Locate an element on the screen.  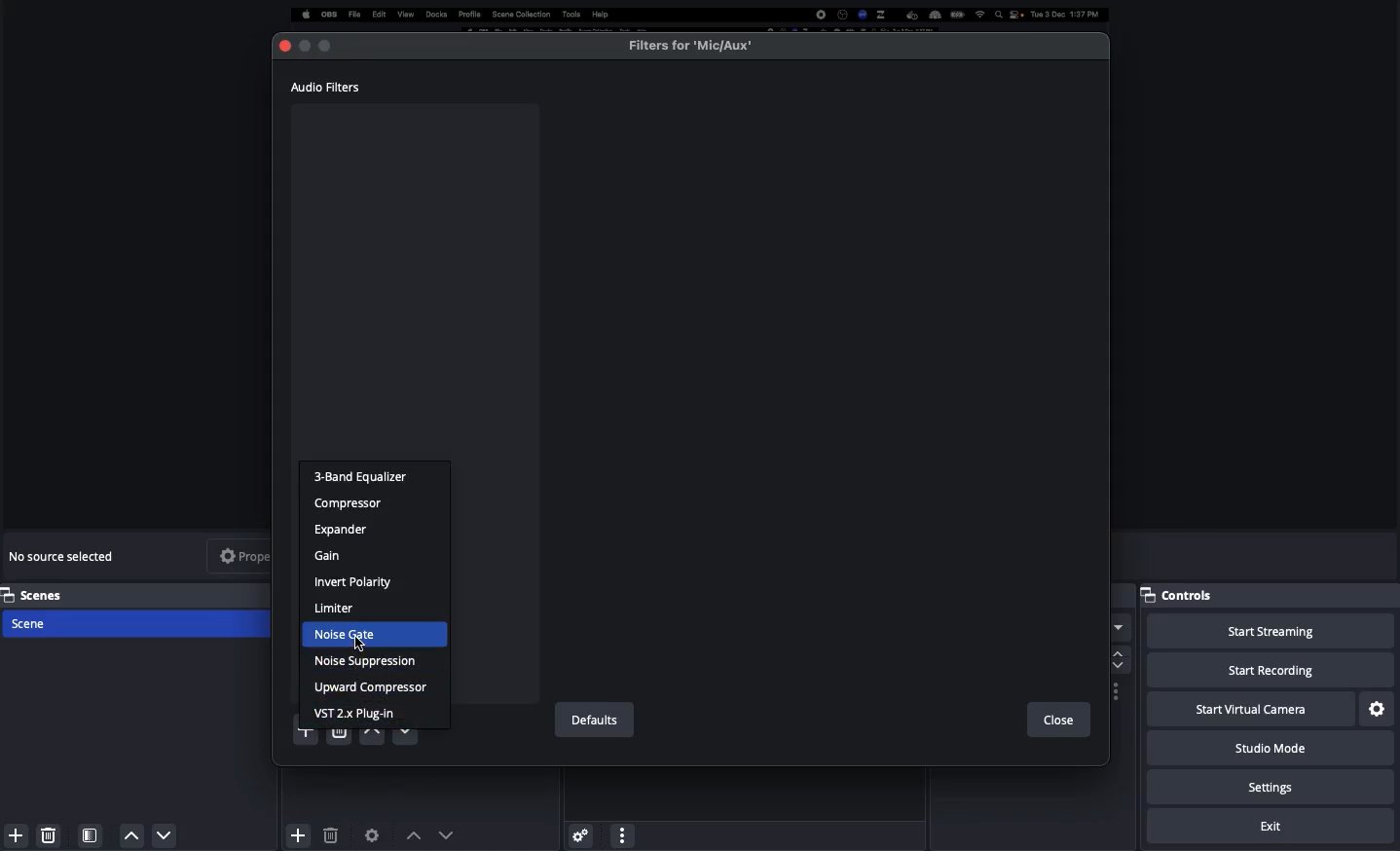
Limiter is located at coordinates (337, 610).